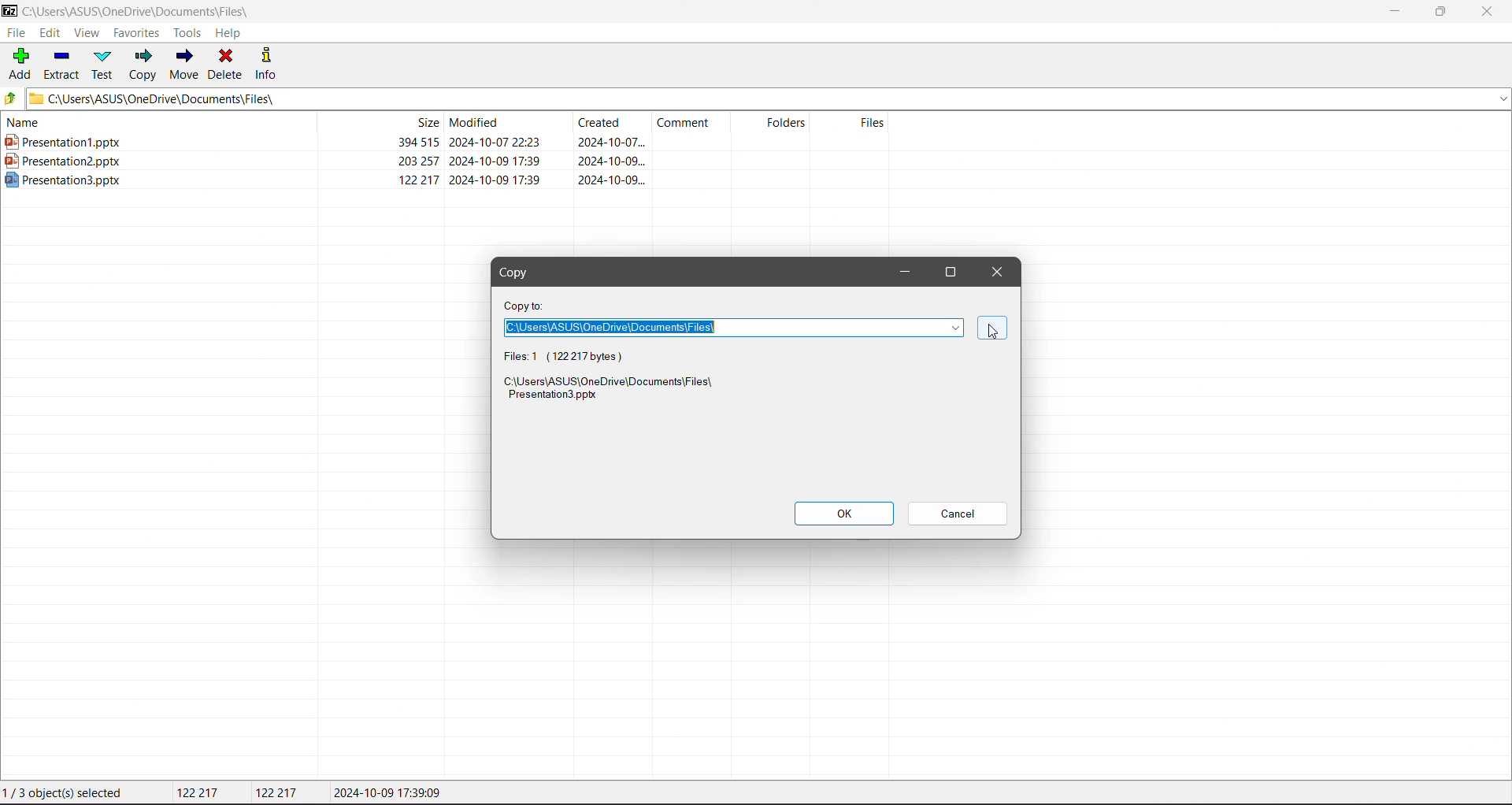 The height and width of the screenshot is (805, 1512). What do you see at coordinates (13, 98) in the screenshot?
I see `Move Up one level` at bounding box center [13, 98].